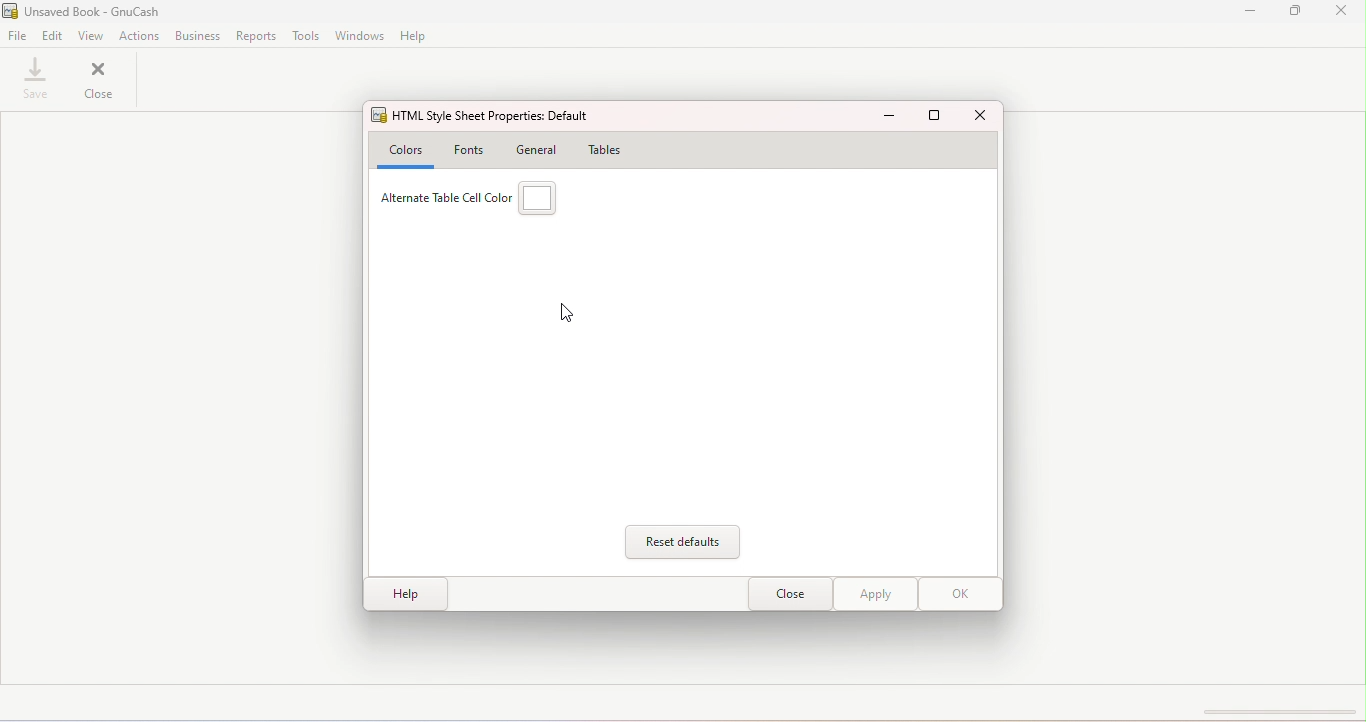 This screenshot has height=722, width=1366. What do you see at coordinates (306, 38) in the screenshot?
I see `Tools` at bounding box center [306, 38].